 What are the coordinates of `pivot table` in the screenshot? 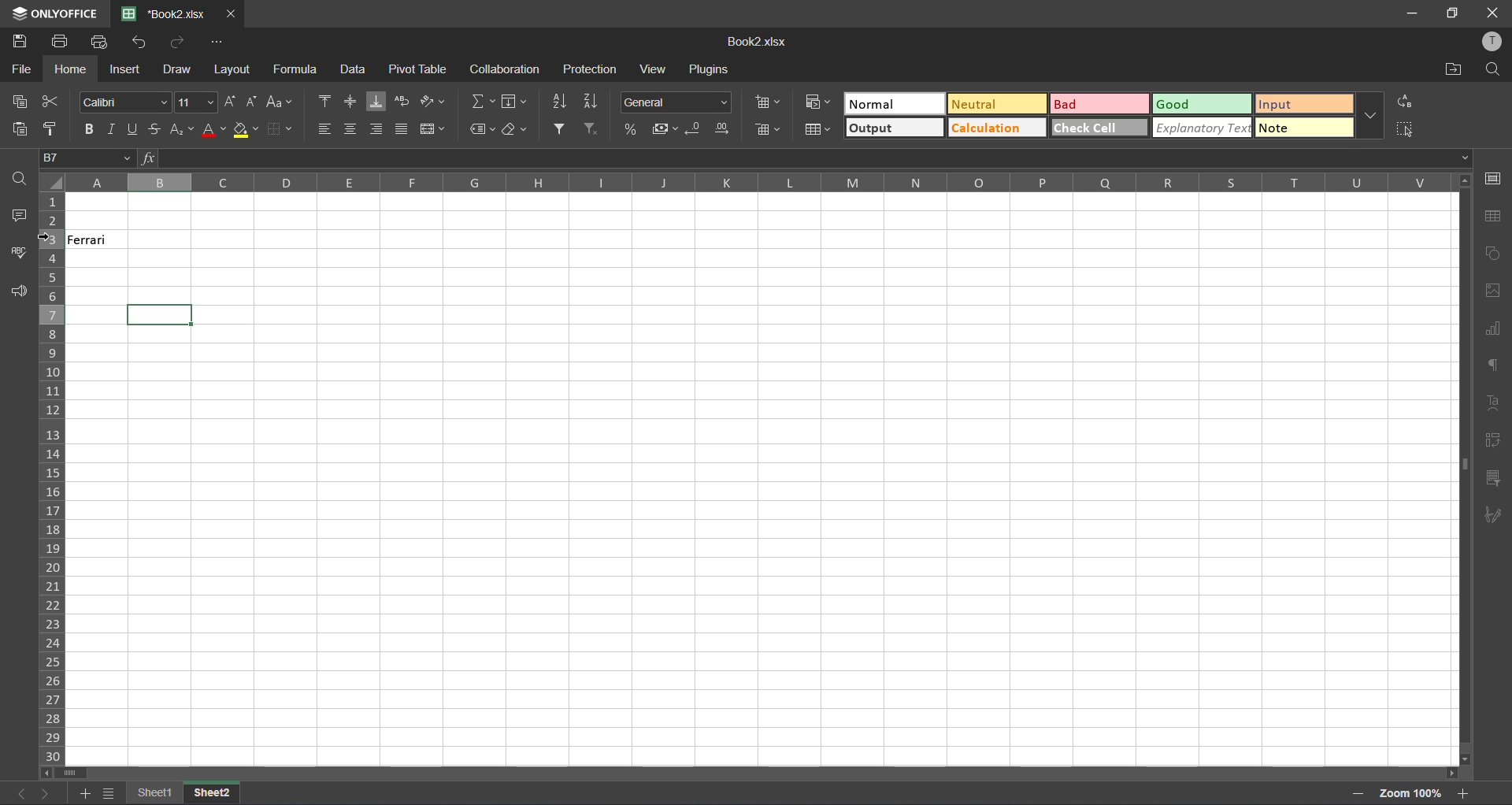 It's located at (422, 69).